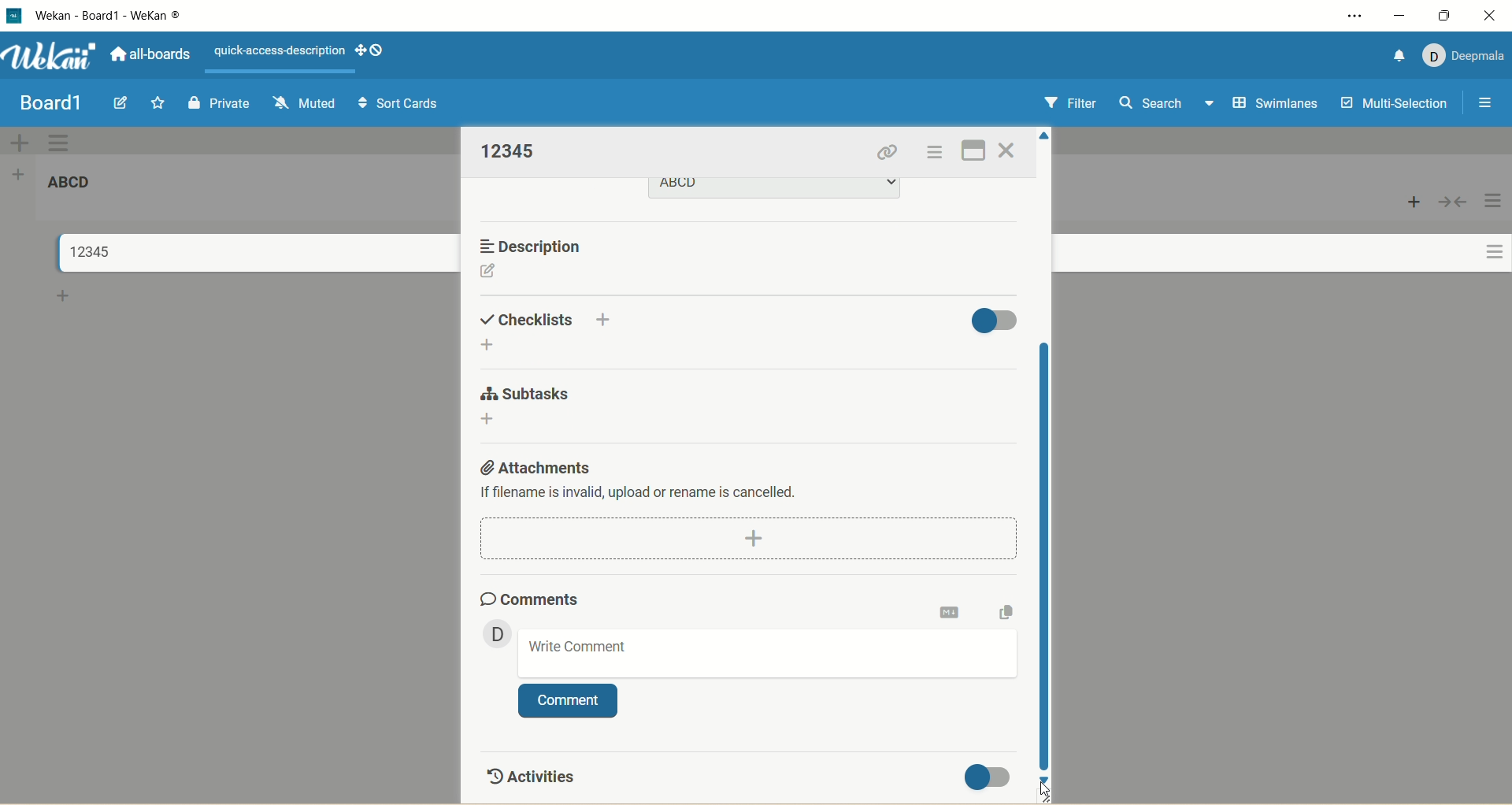 The width and height of the screenshot is (1512, 805). I want to click on cursor, so click(1050, 793).